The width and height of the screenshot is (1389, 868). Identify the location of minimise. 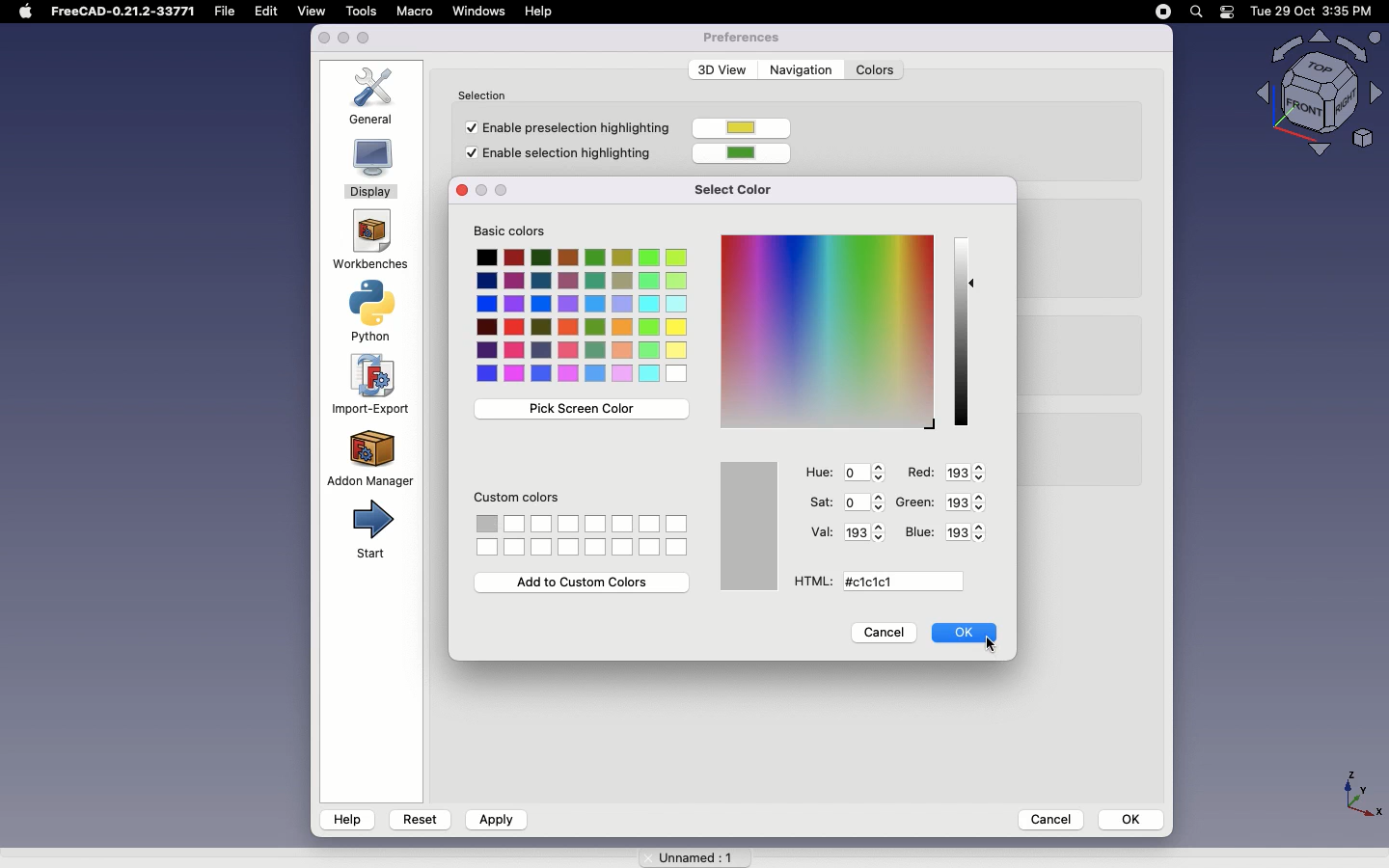
(343, 40).